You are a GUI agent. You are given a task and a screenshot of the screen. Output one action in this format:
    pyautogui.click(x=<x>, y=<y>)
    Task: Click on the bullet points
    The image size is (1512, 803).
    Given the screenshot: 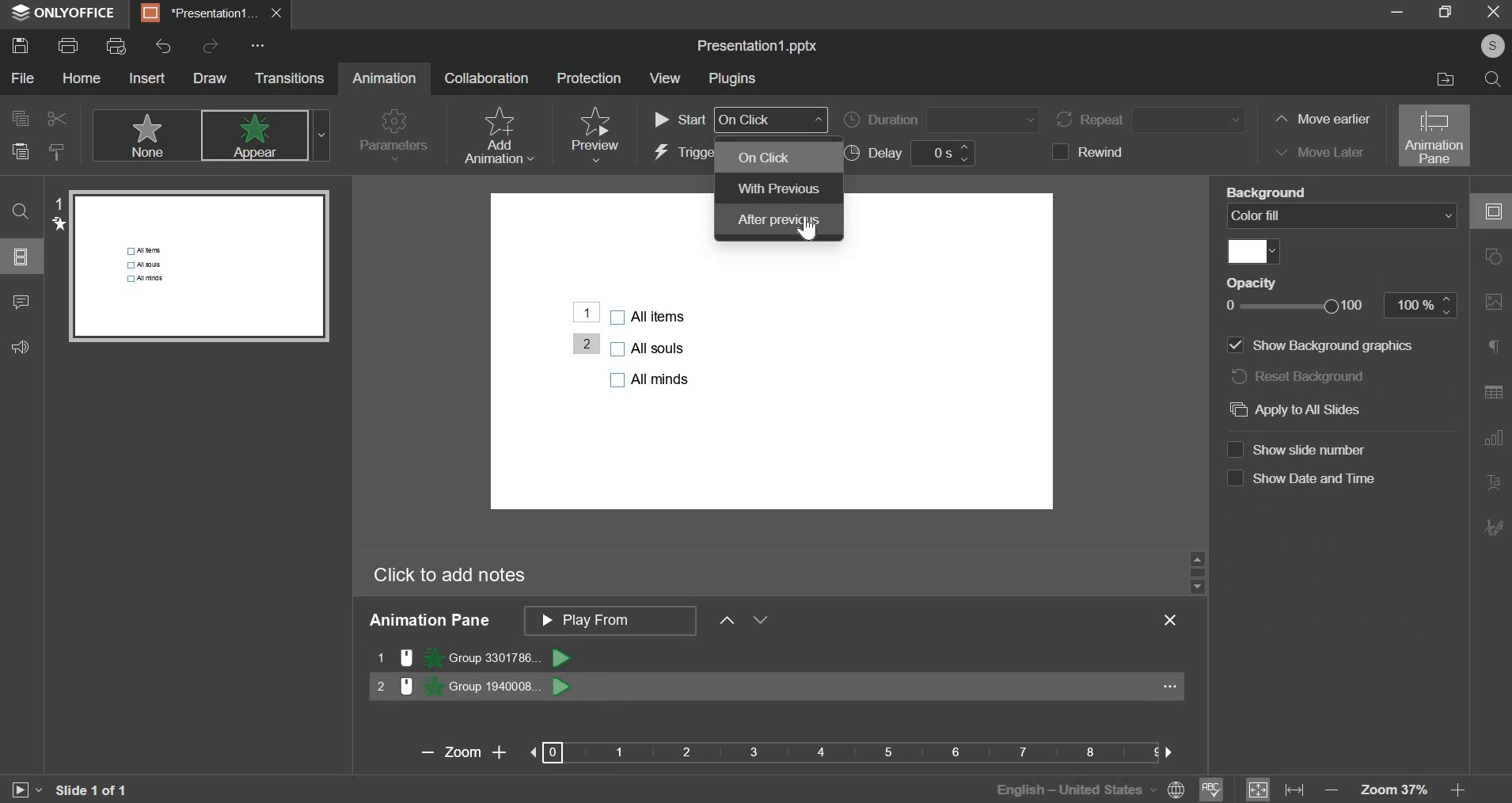 What is the action you would take?
    pyautogui.click(x=650, y=347)
    